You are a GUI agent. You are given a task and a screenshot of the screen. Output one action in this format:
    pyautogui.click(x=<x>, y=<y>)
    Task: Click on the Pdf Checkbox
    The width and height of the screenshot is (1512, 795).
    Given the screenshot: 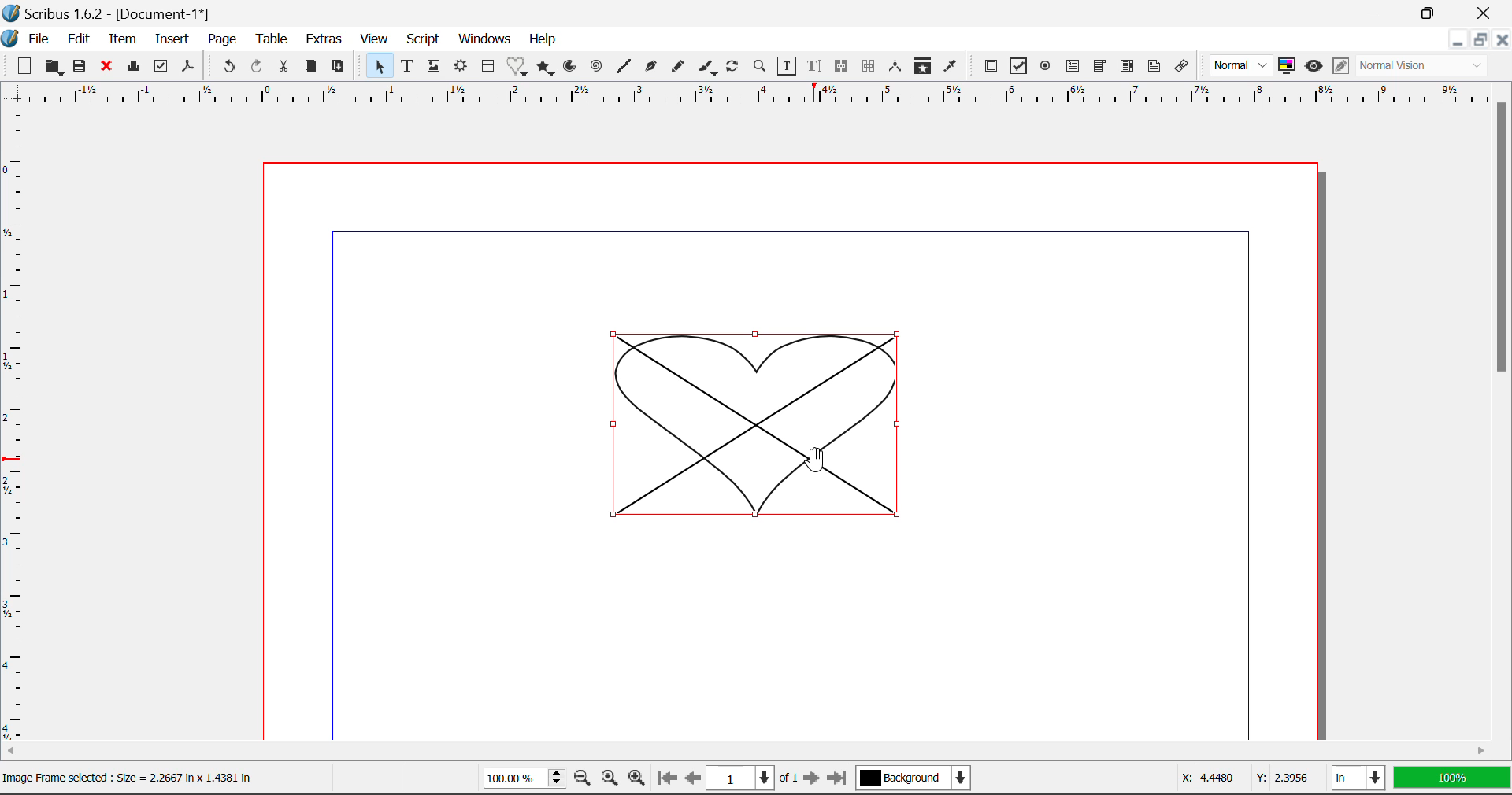 What is the action you would take?
    pyautogui.click(x=1021, y=68)
    